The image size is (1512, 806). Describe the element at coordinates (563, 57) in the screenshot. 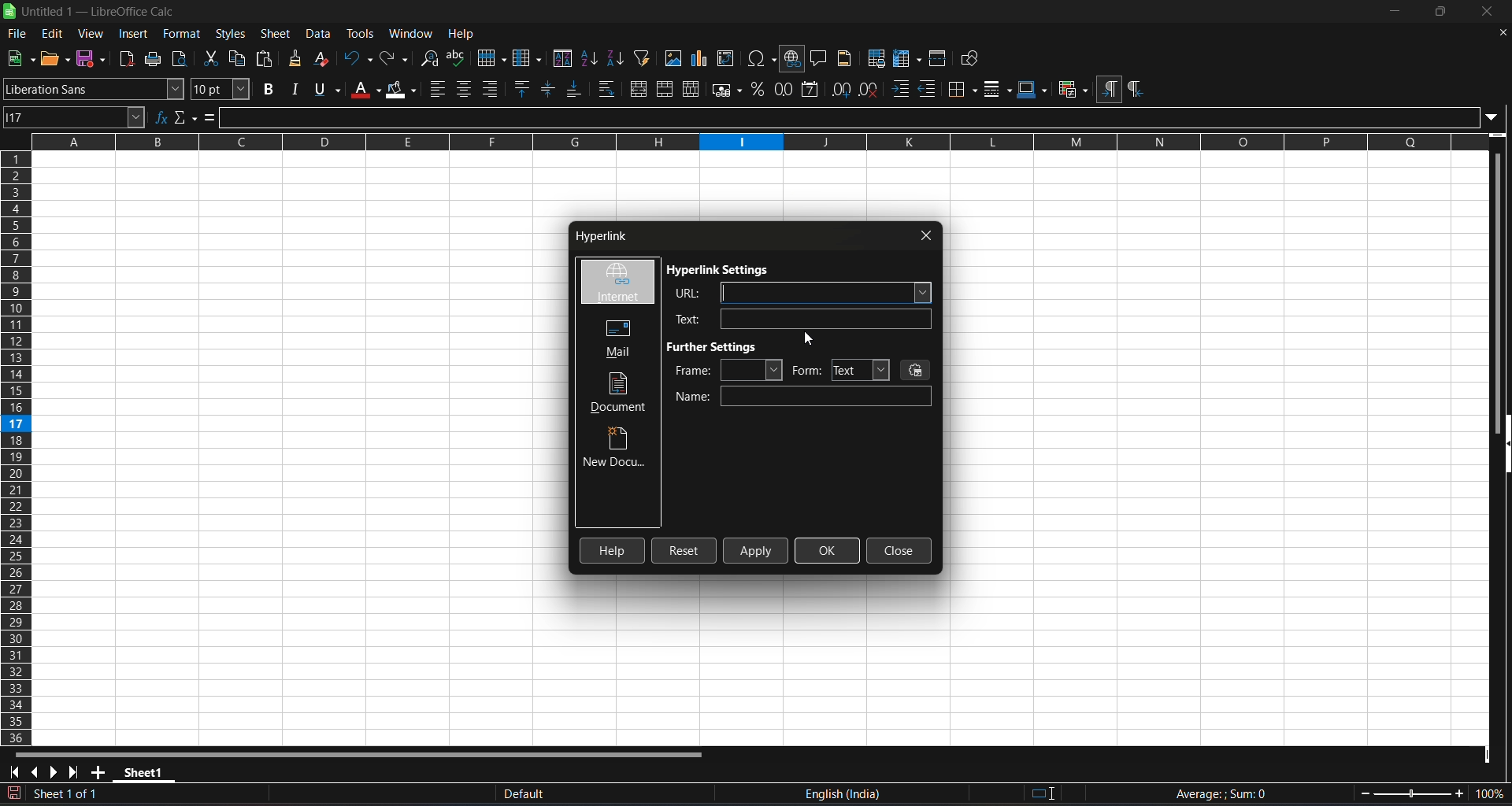

I see `sort` at that location.